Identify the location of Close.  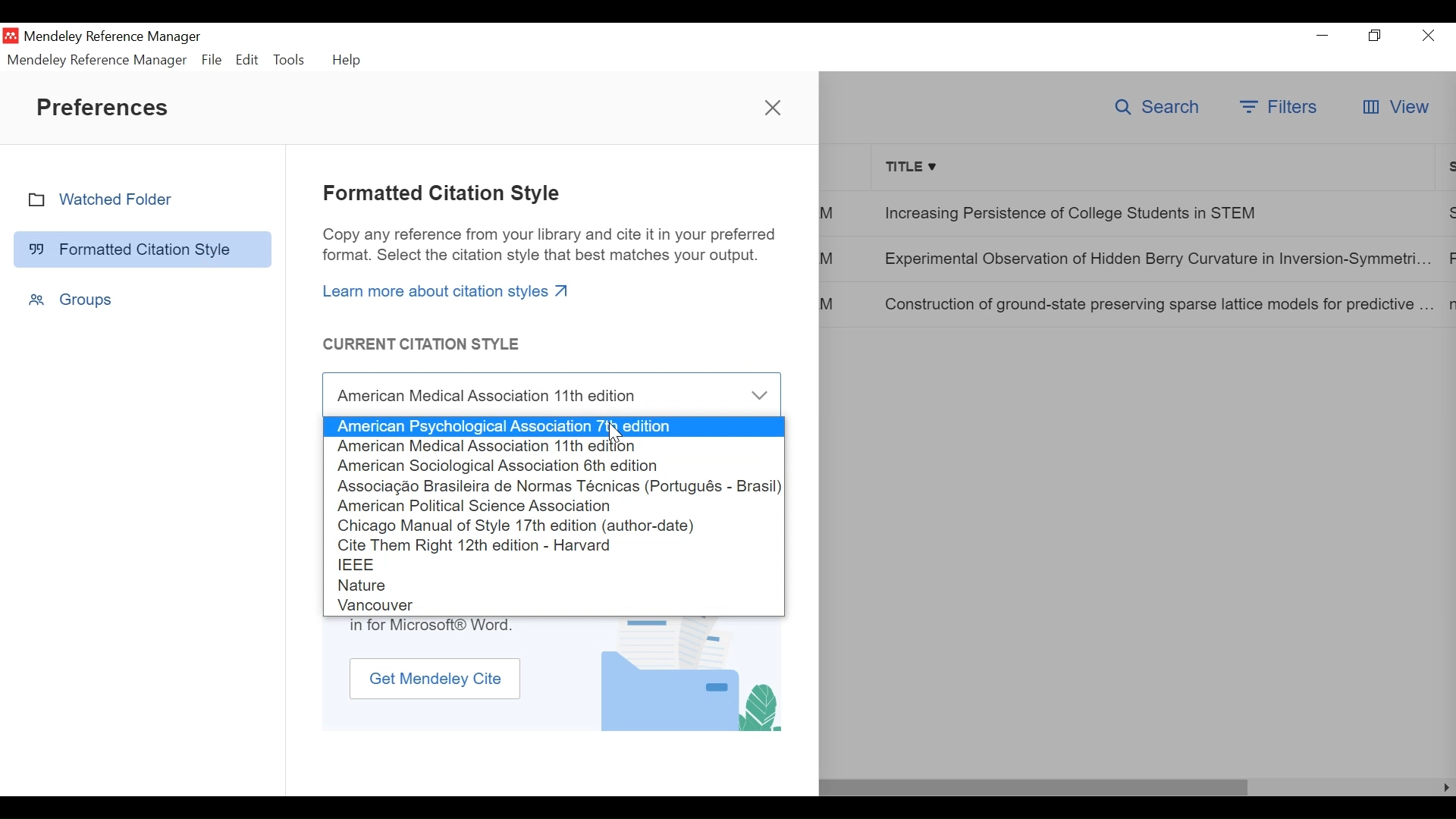
(1428, 36).